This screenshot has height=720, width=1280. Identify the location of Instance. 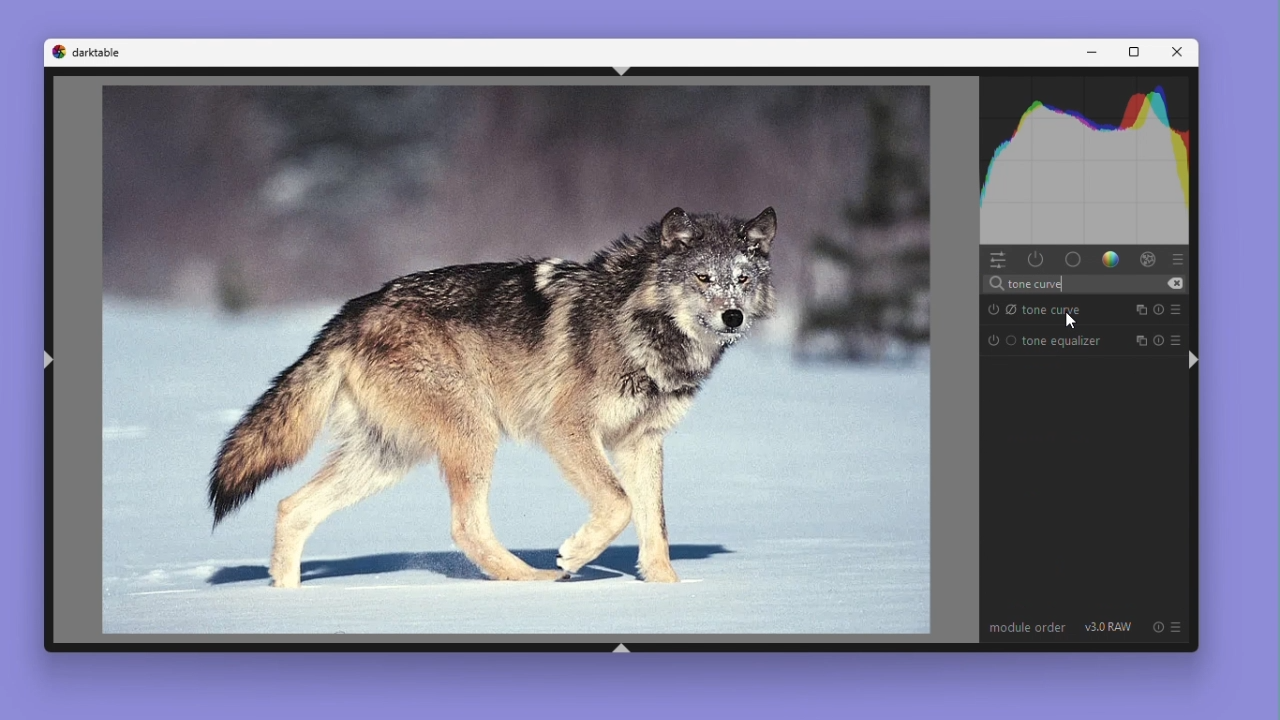
(1139, 337).